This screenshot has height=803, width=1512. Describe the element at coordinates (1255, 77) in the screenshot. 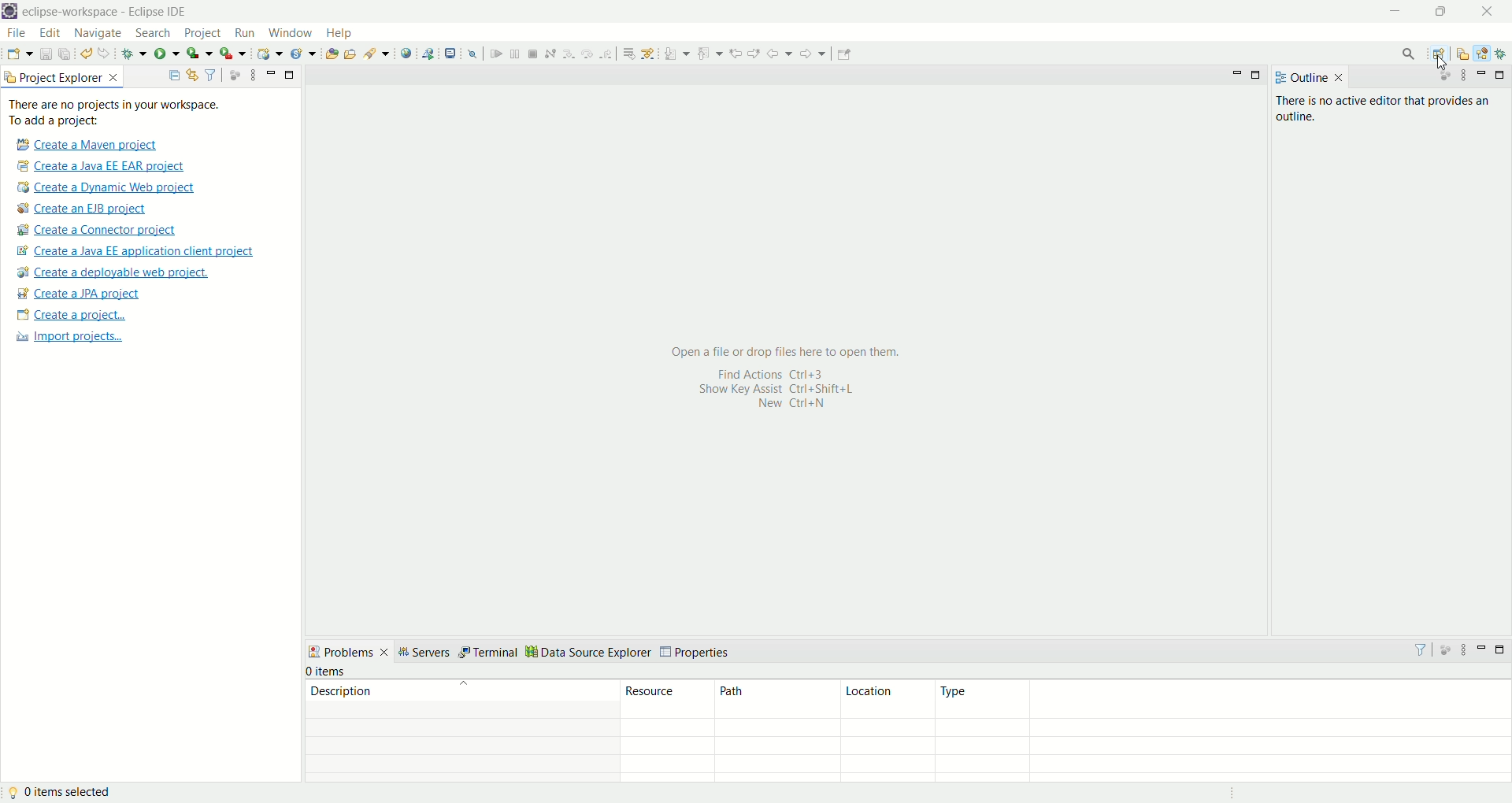

I see `maximize` at that location.